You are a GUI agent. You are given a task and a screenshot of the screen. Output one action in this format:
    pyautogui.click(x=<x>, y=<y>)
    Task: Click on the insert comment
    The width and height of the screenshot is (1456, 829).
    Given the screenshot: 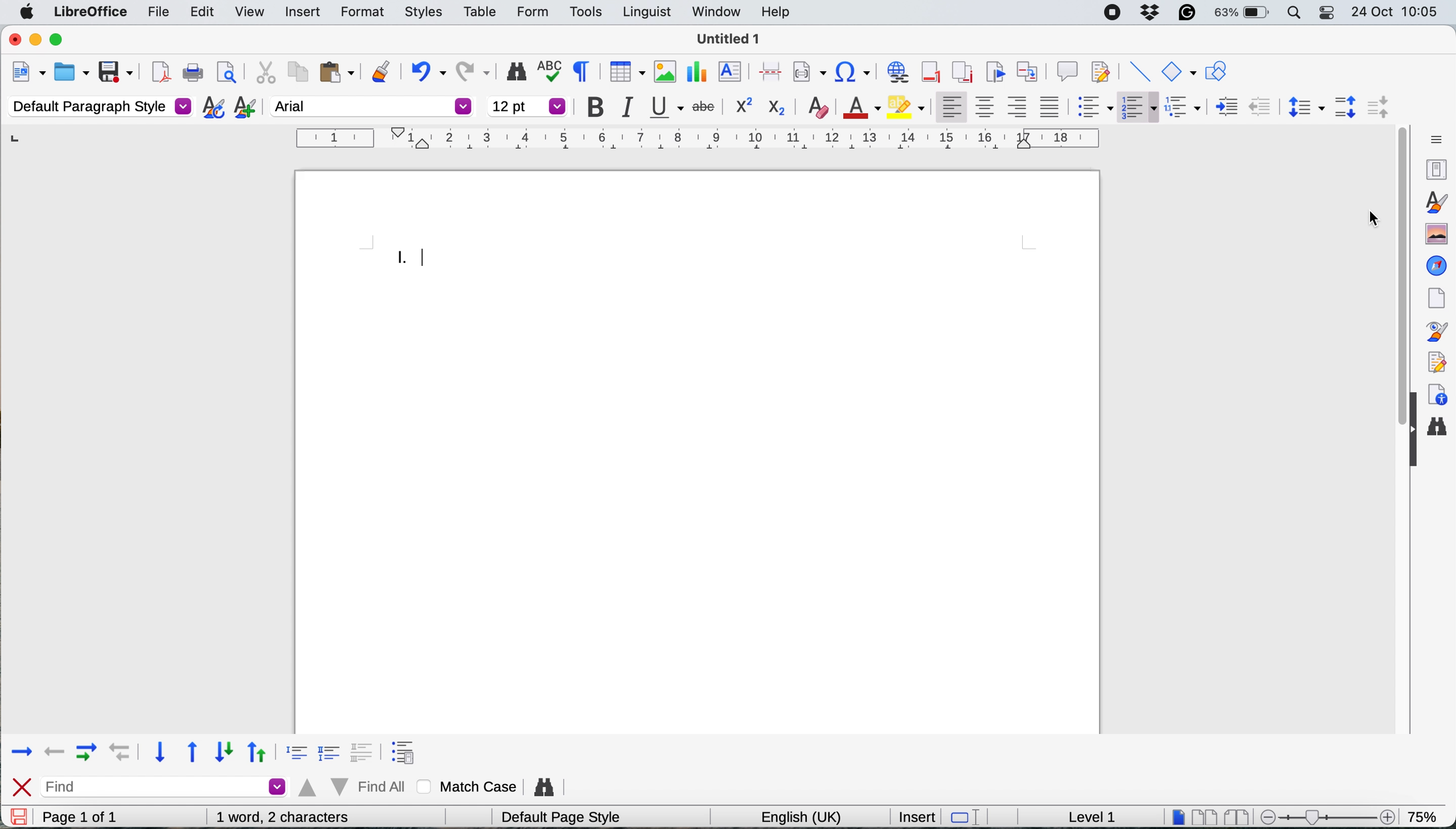 What is the action you would take?
    pyautogui.click(x=1067, y=69)
    